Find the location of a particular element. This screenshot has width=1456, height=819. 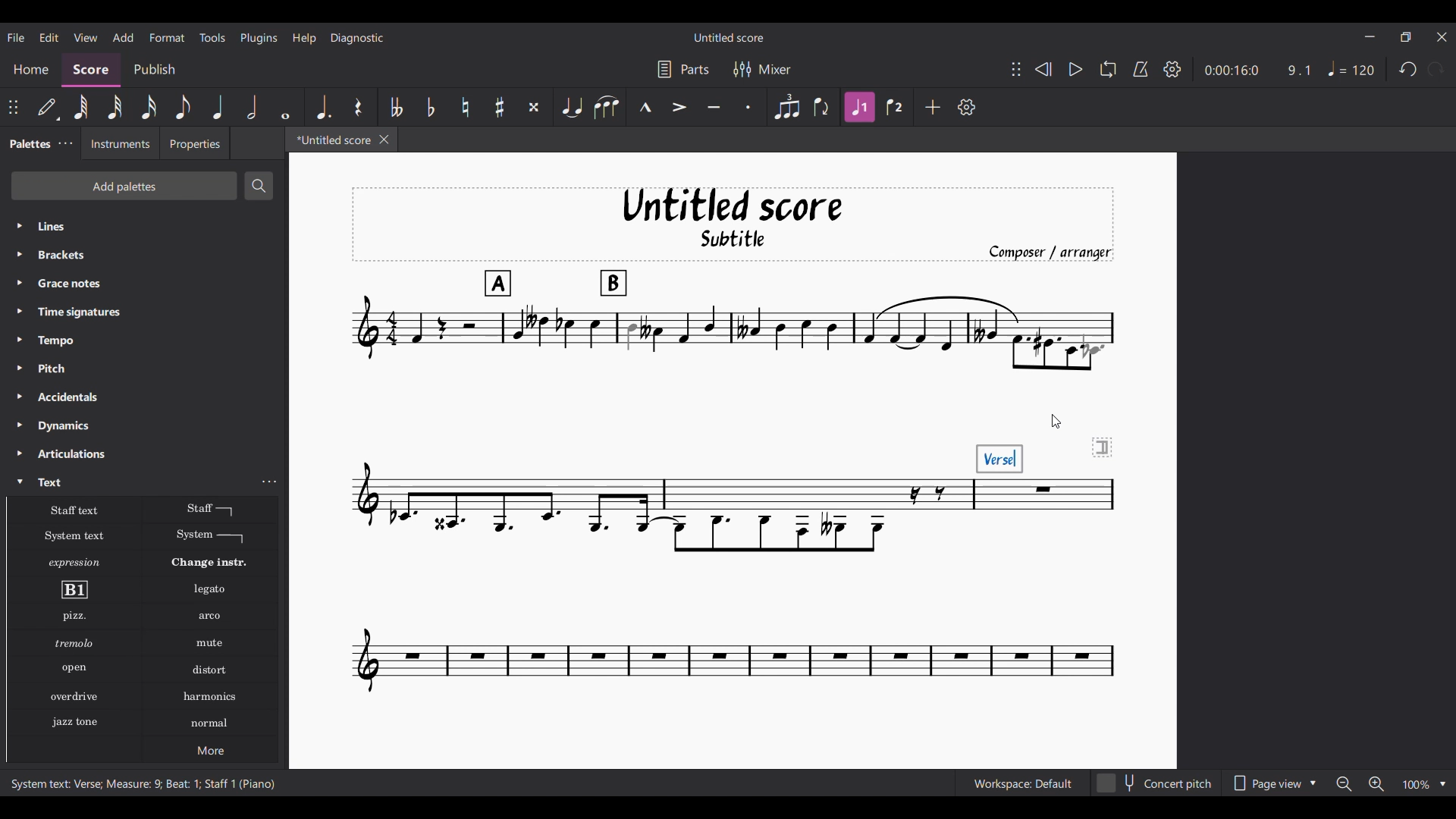

File menu is located at coordinates (16, 37).